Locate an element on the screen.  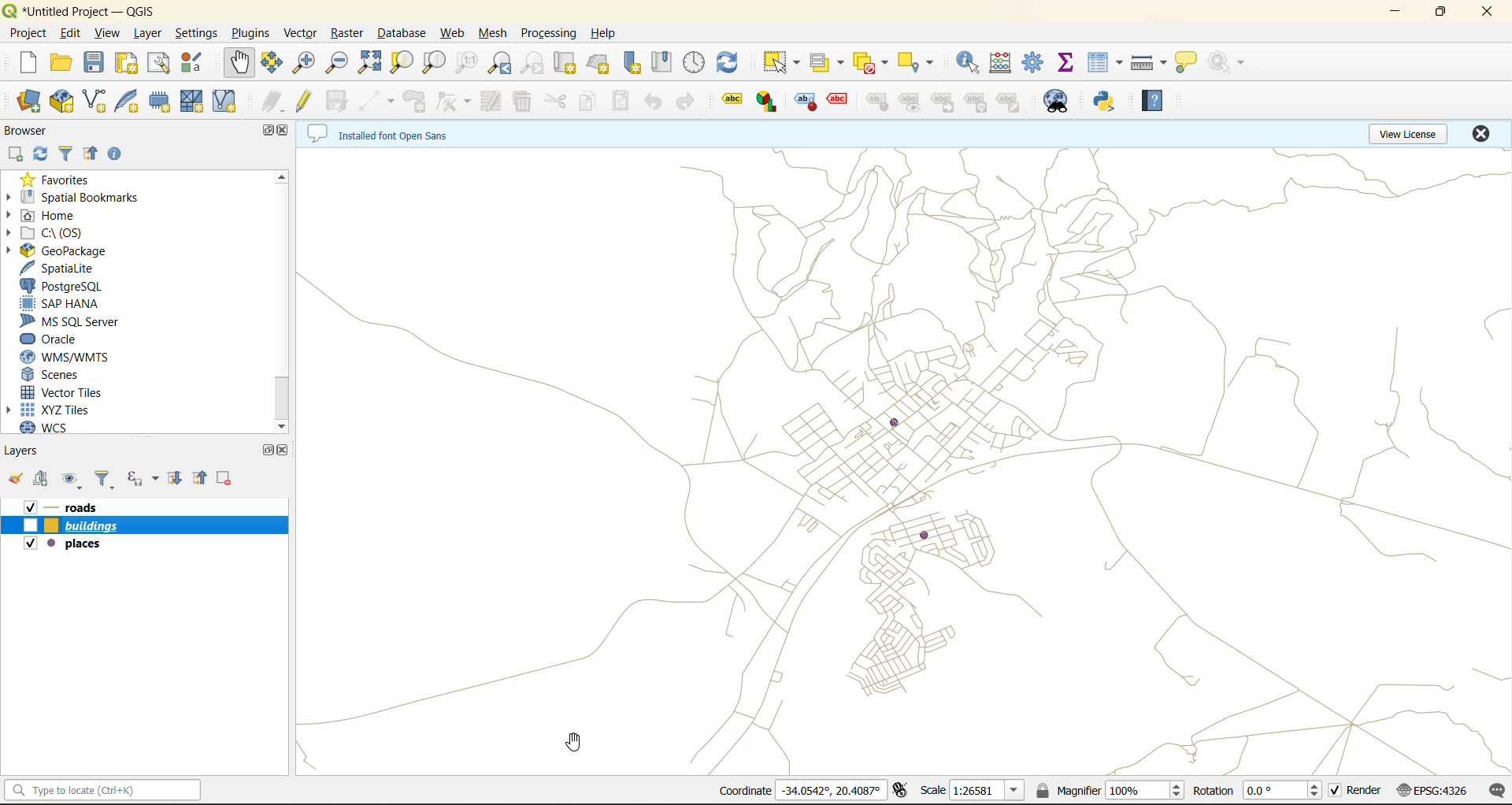
processing is located at coordinates (548, 35).